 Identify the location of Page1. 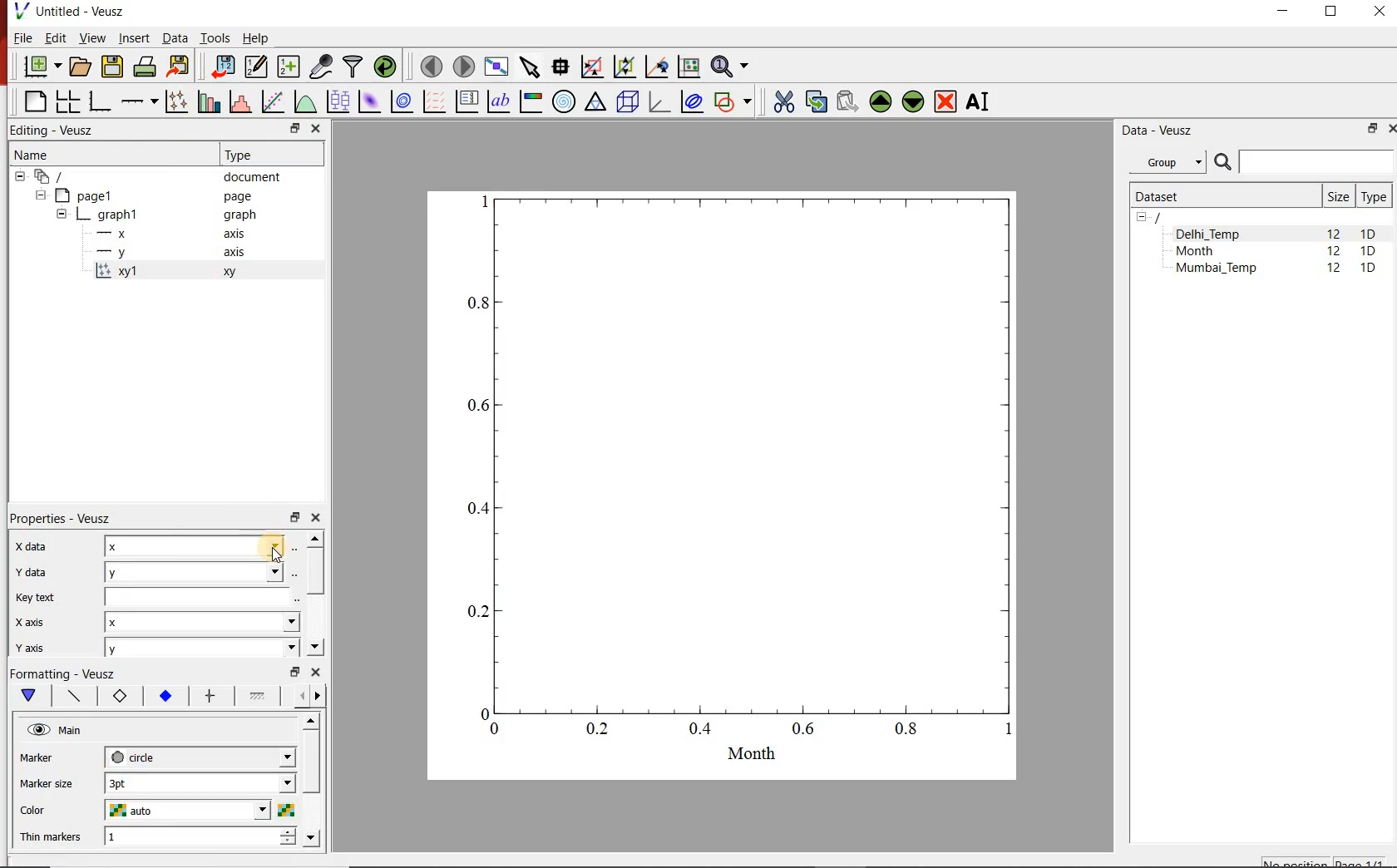
(145, 195).